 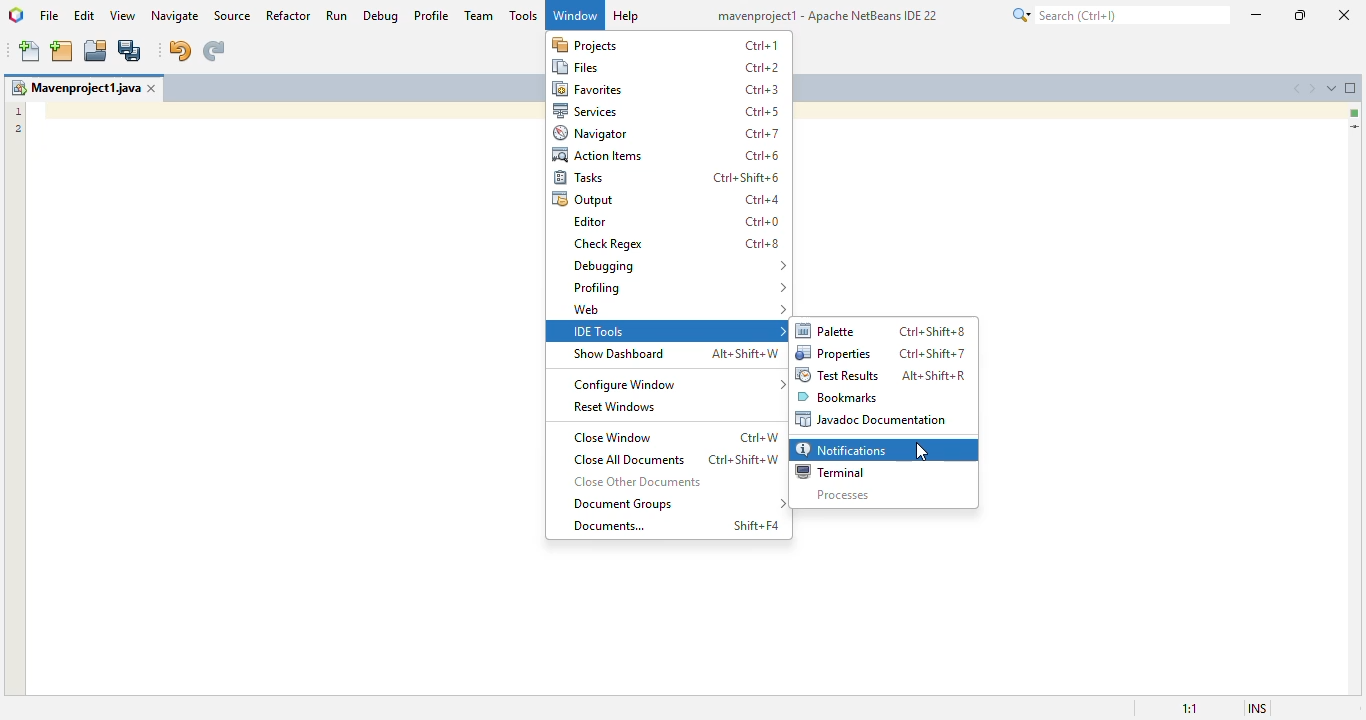 I want to click on run, so click(x=336, y=15).